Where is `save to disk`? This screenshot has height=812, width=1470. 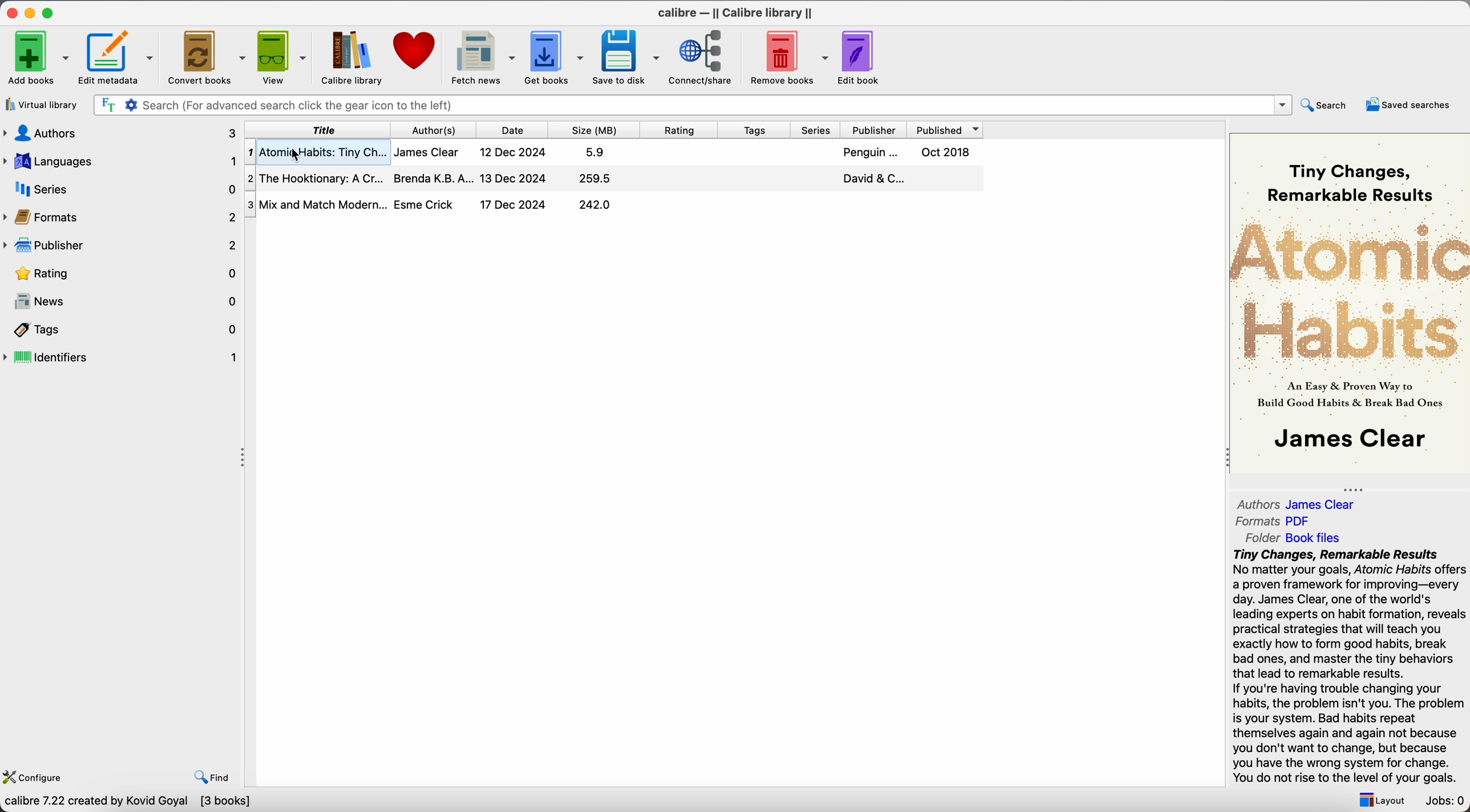 save to disk is located at coordinates (627, 58).